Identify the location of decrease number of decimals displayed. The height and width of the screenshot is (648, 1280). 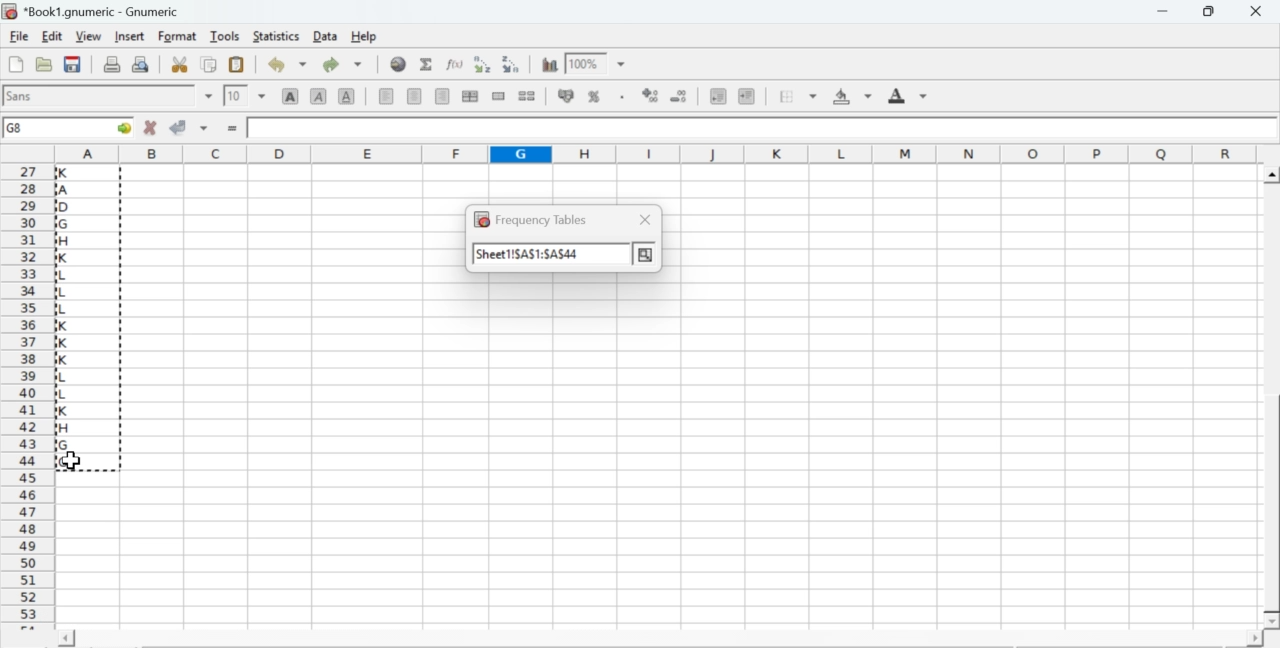
(678, 97).